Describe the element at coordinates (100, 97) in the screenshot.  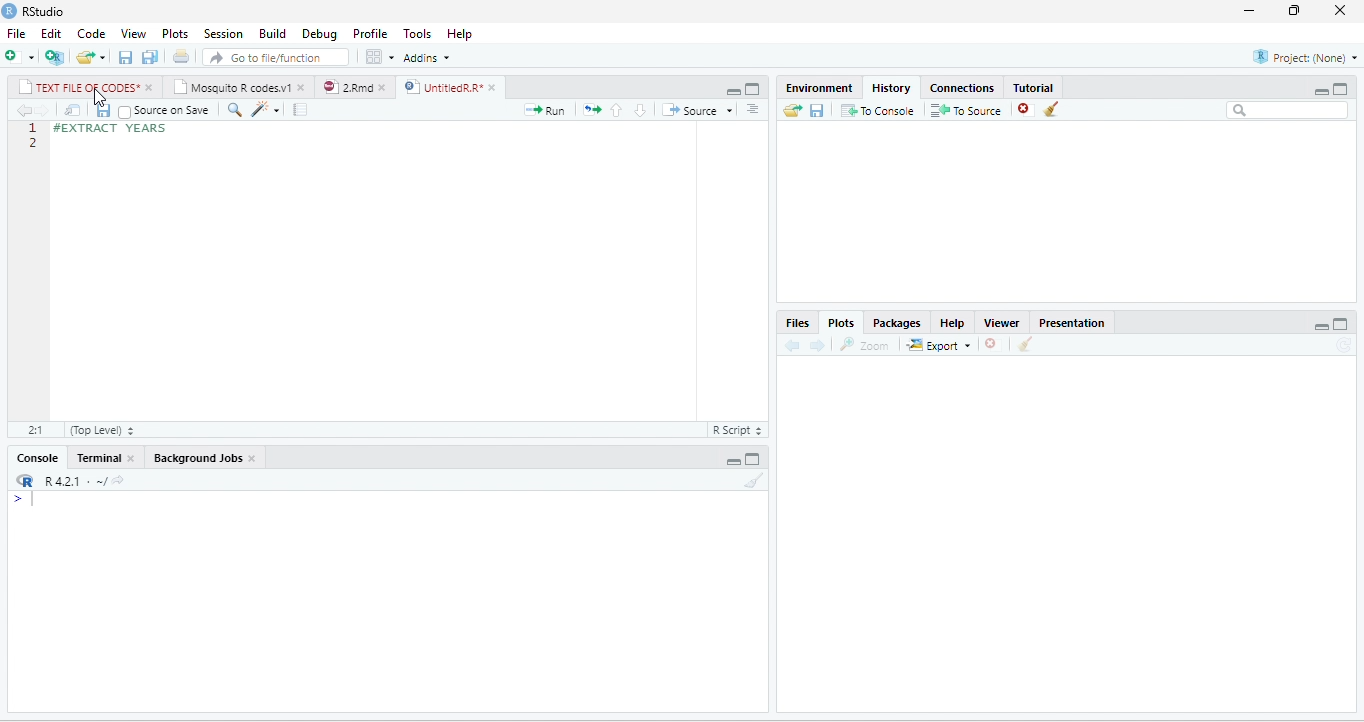
I see `cursor` at that location.